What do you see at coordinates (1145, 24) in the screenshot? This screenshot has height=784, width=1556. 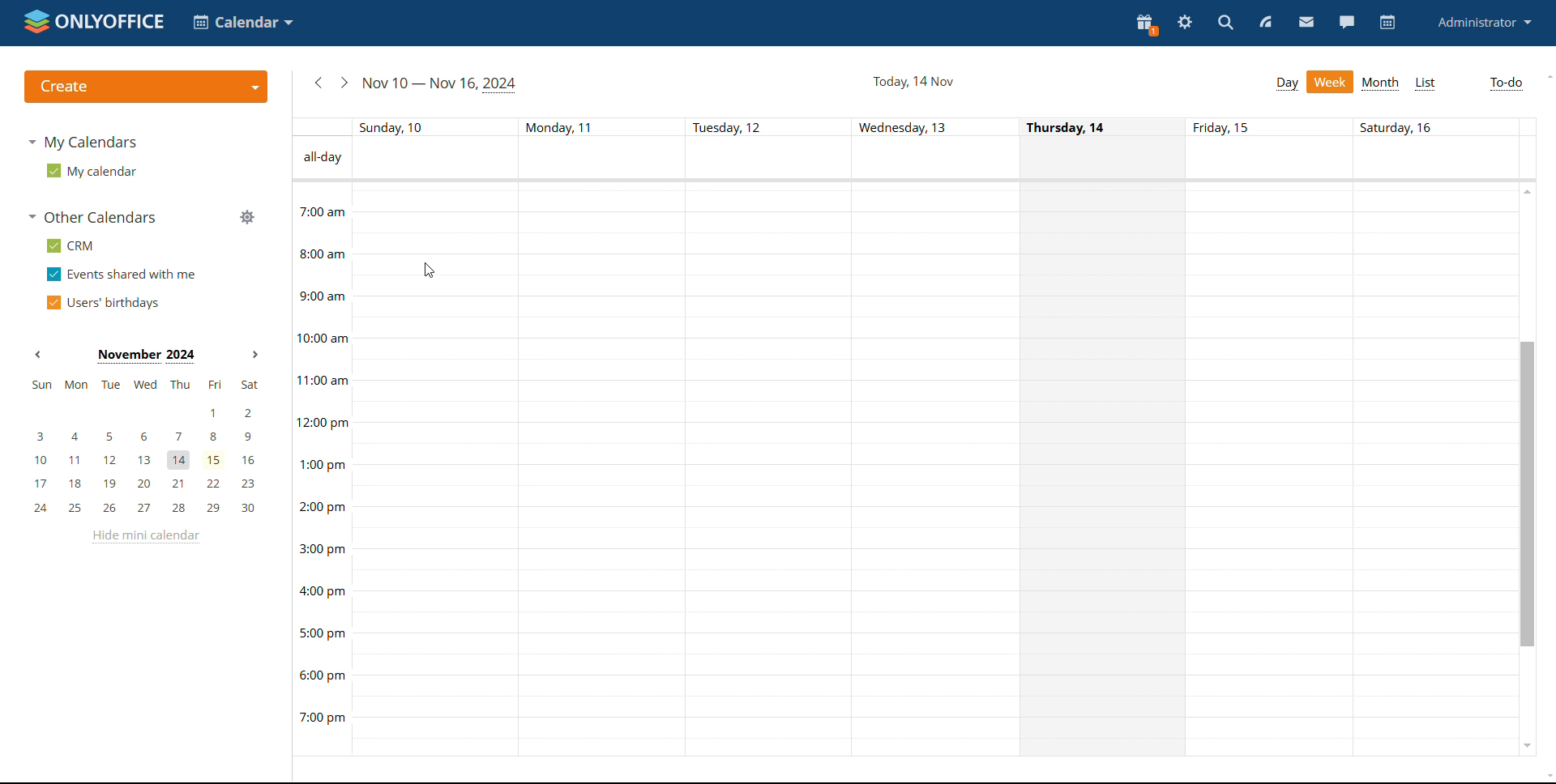 I see `present` at bounding box center [1145, 24].